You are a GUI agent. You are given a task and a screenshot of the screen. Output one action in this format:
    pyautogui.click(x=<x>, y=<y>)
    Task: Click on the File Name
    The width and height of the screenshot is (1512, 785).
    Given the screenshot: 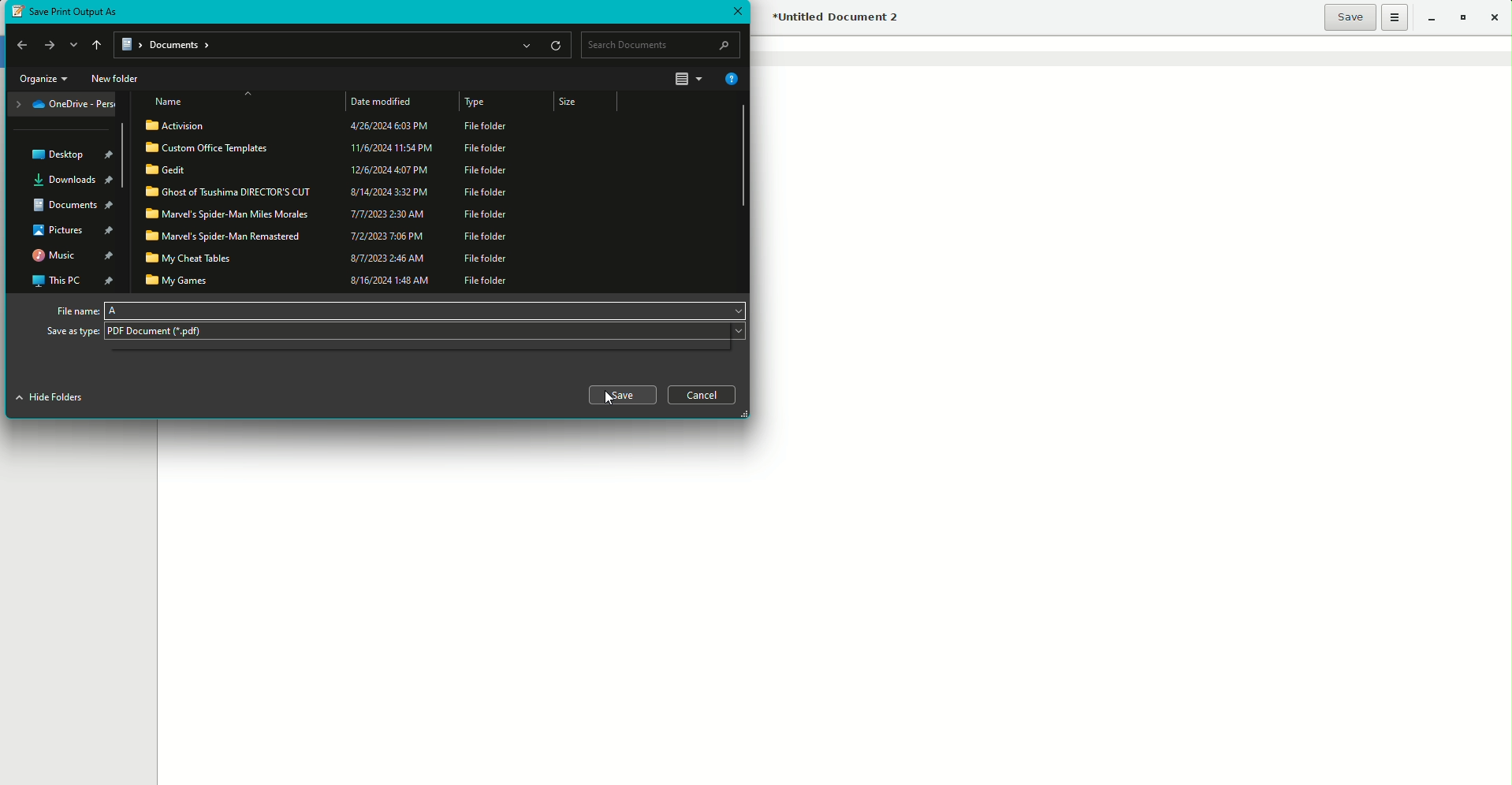 What is the action you would take?
    pyautogui.click(x=398, y=308)
    